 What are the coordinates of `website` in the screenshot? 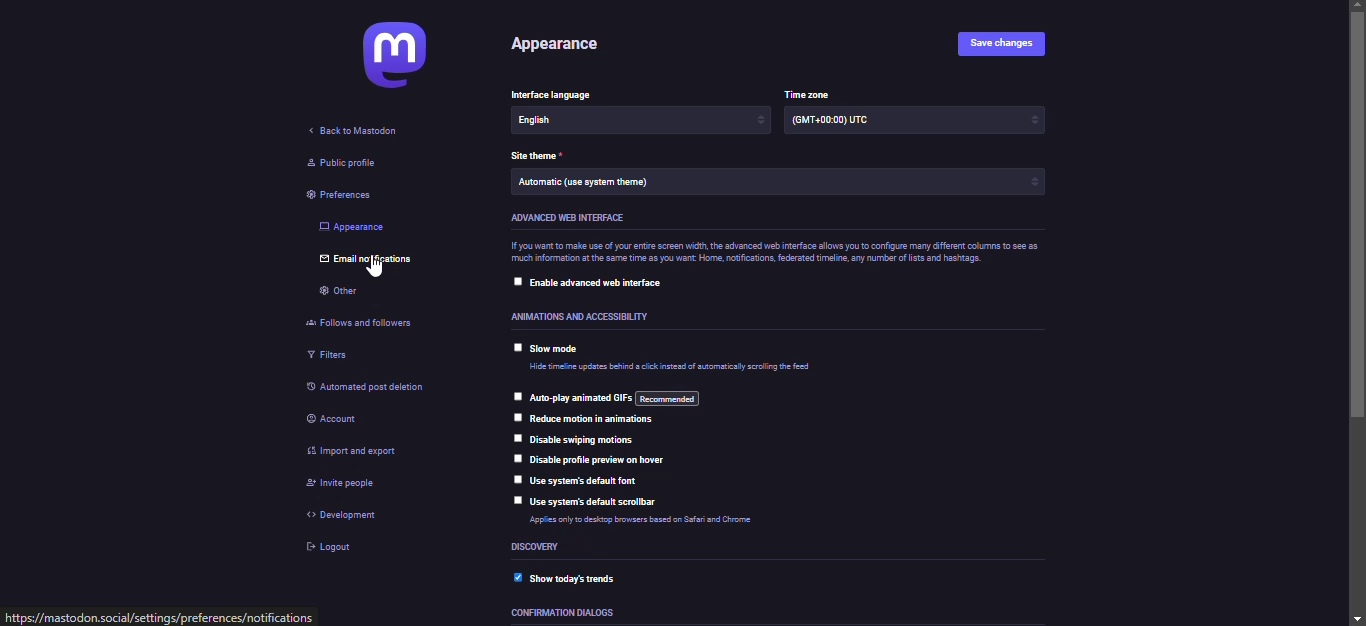 It's located at (161, 617).